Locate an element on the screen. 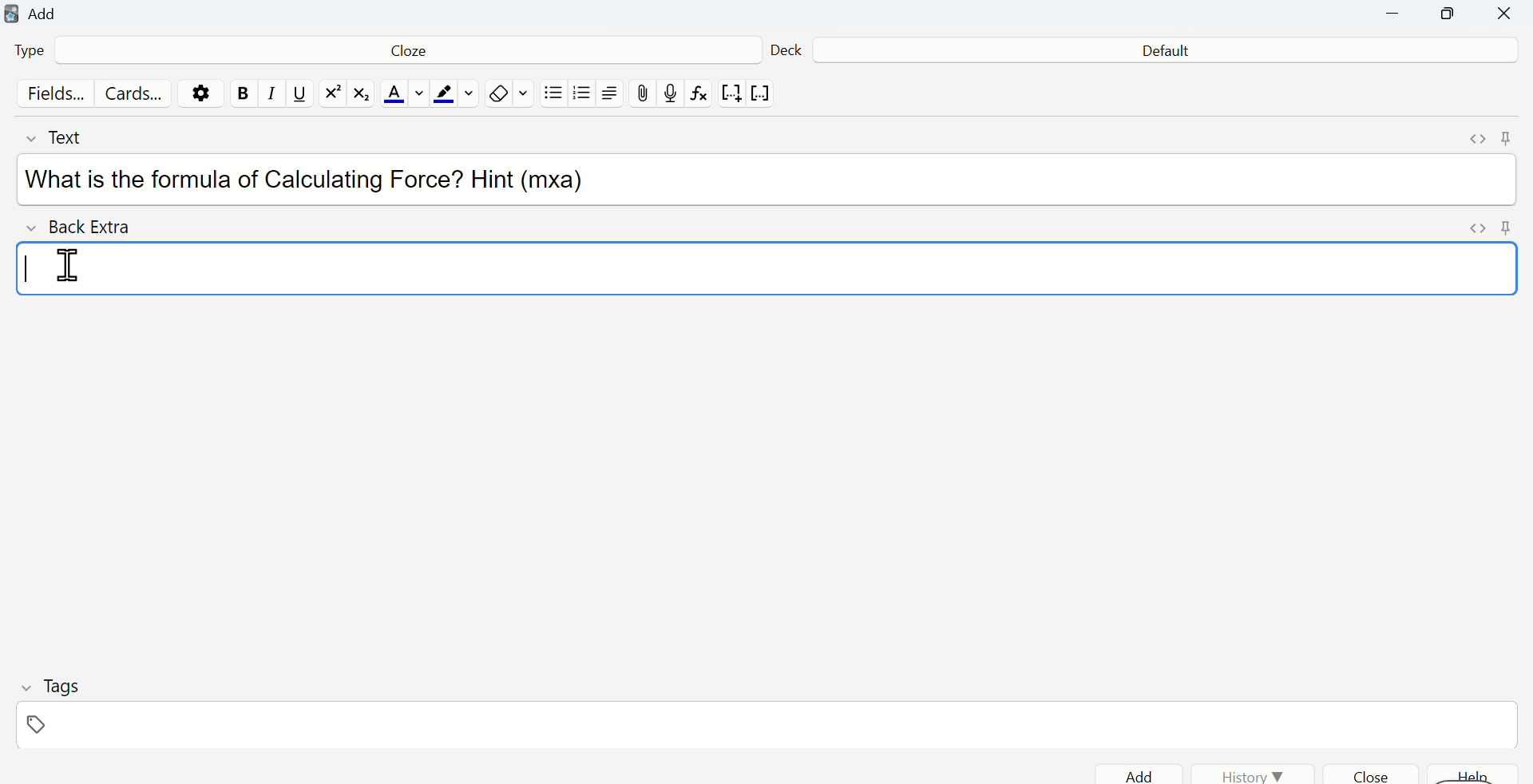  Back Extra is located at coordinates (82, 228).